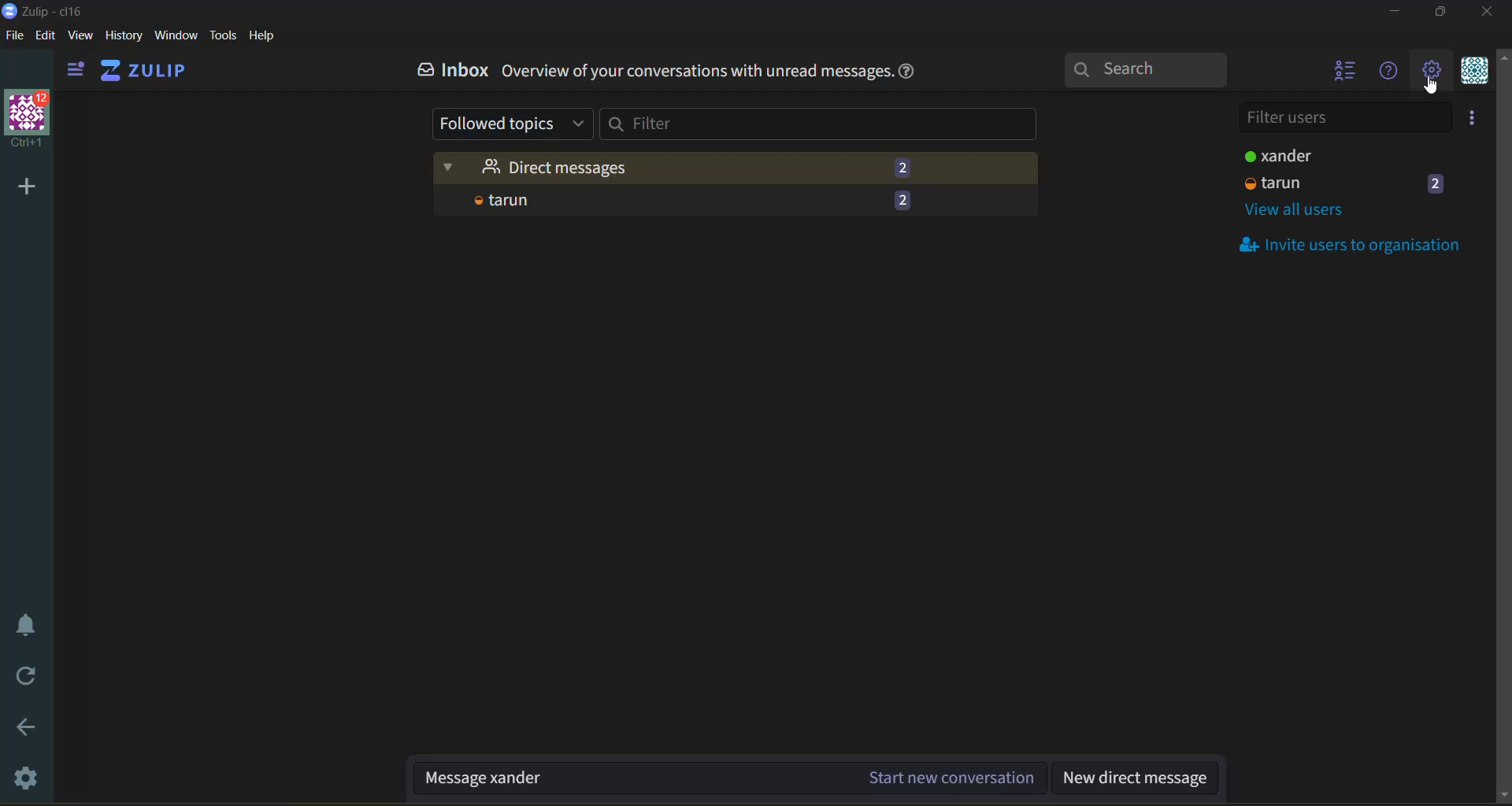 The width and height of the screenshot is (1512, 806). What do you see at coordinates (1347, 184) in the screenshot?
I see `user status` at bounding box center [1347, 184].